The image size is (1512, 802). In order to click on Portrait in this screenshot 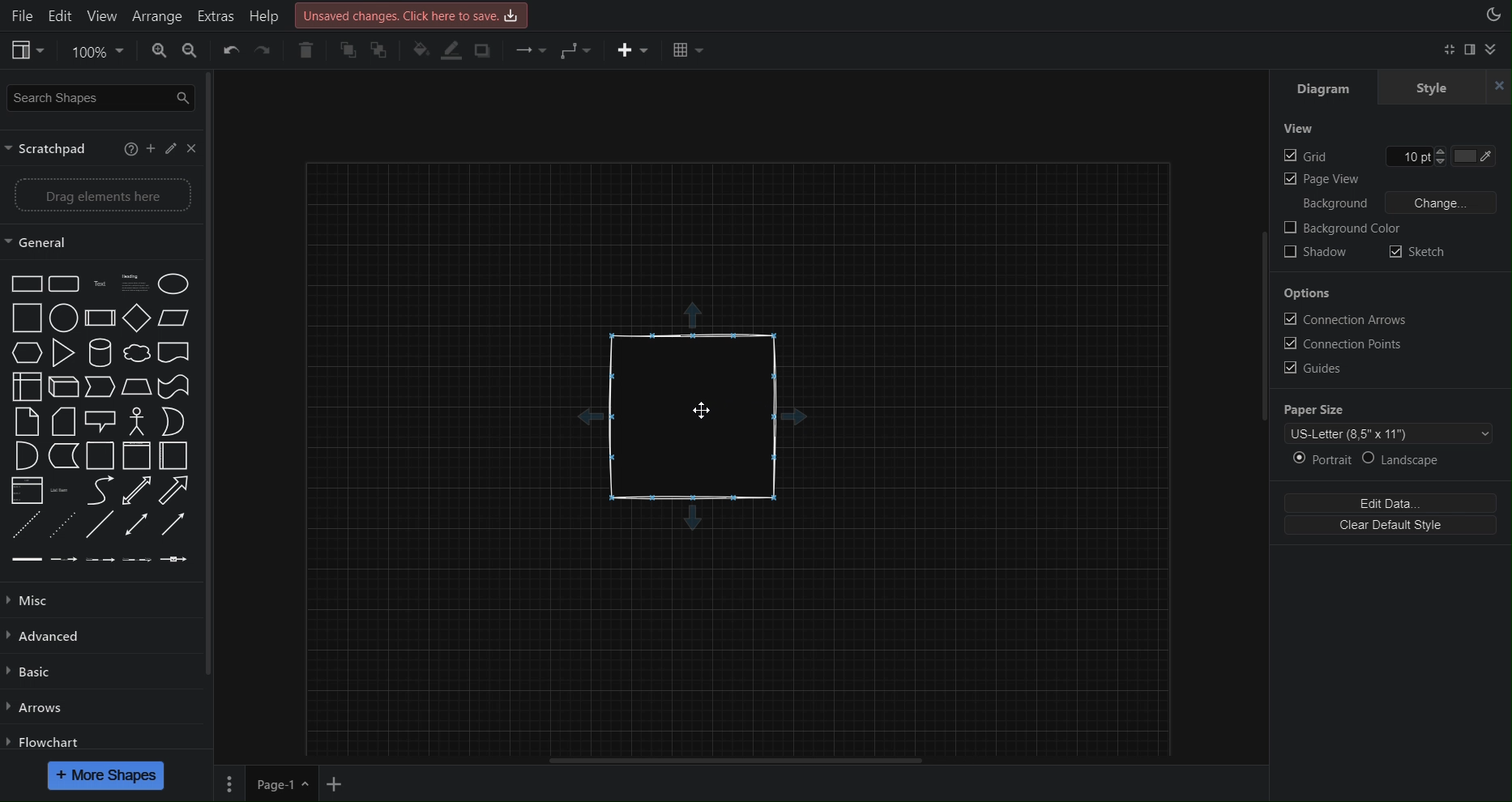, I will do `click(1322, 459)`.